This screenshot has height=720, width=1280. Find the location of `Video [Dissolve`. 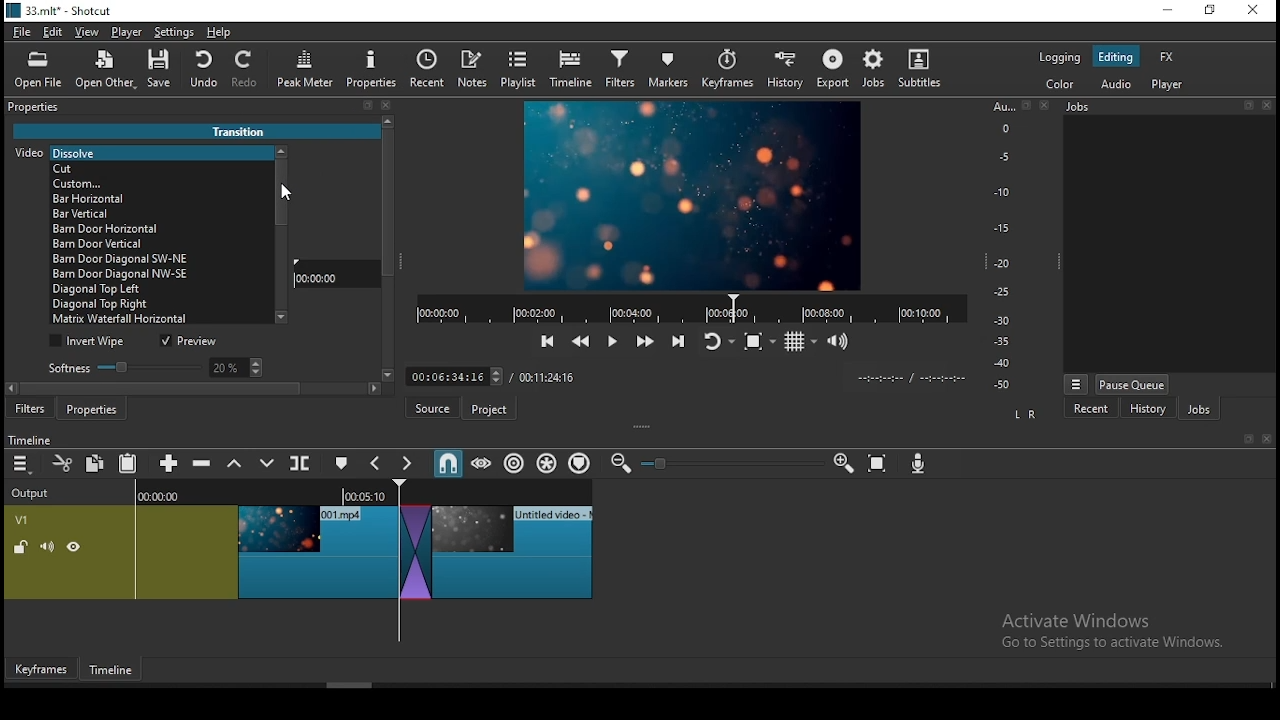

Video [Dissolve is located at coordinates (67, 151).